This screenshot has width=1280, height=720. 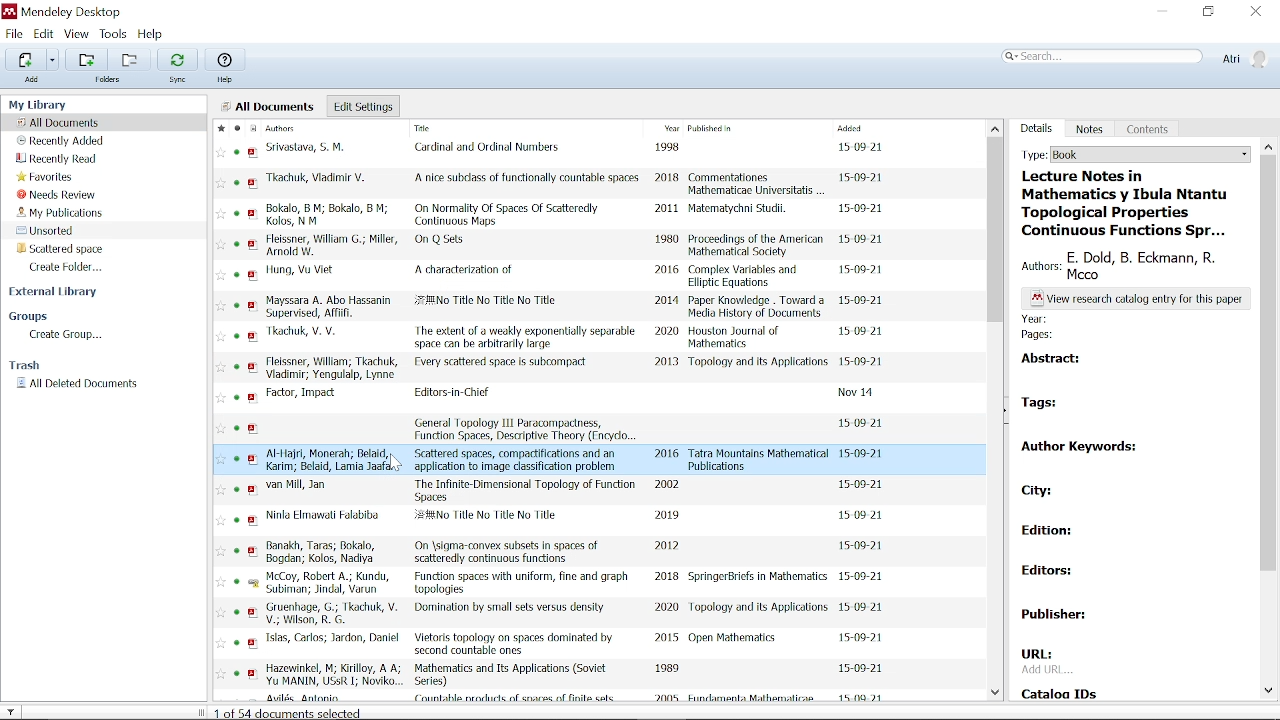 What do you see at coordinates (739, 211) in the screenshot?
I see `Matematychni Studil` at bounding box center [739, 211].